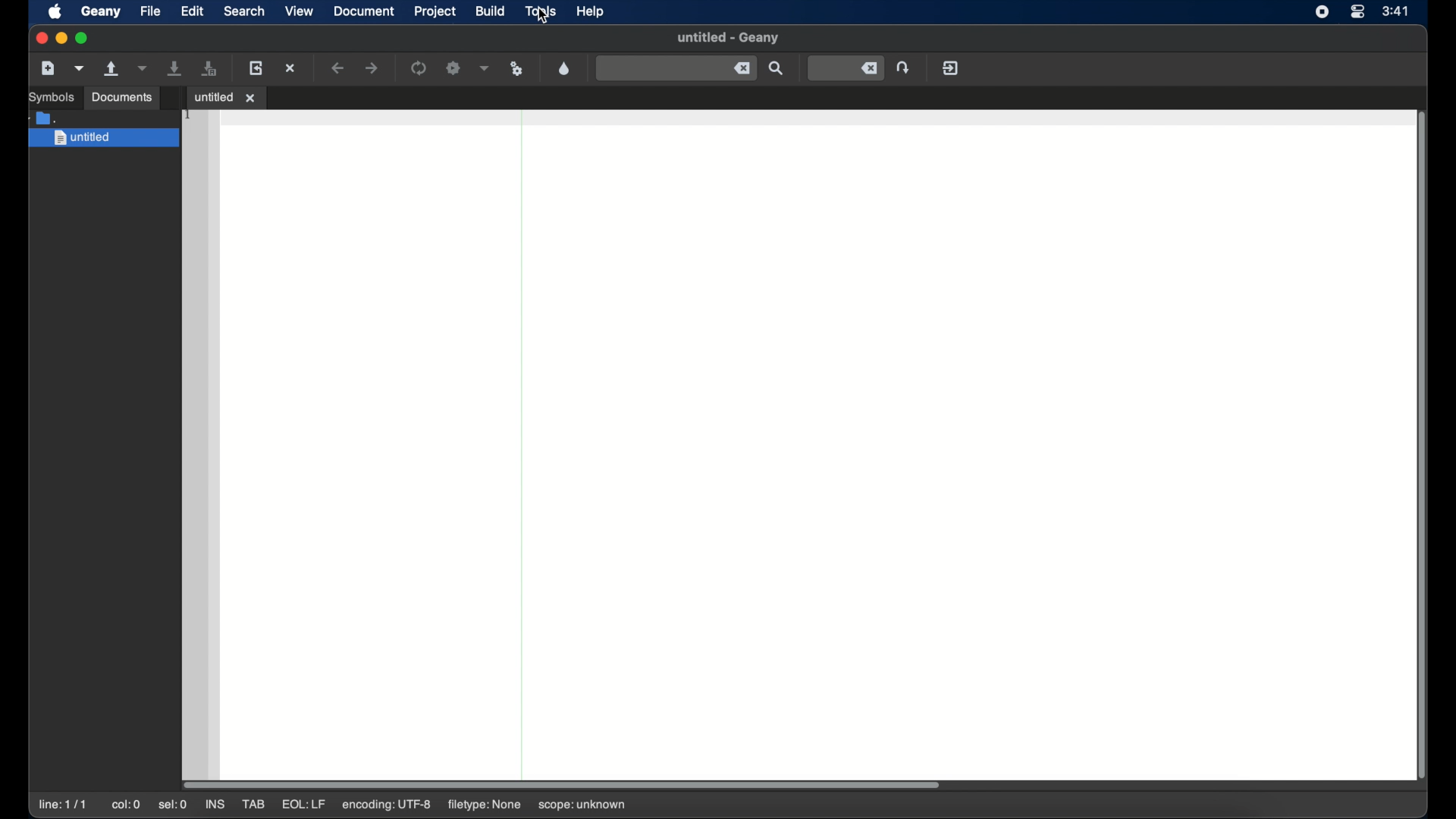 Image resolution: width=1456 pixels, height=819 pixels. Describe the element at coordinates (113, 69) in the screenshot. I see `open an existing file` at that location.